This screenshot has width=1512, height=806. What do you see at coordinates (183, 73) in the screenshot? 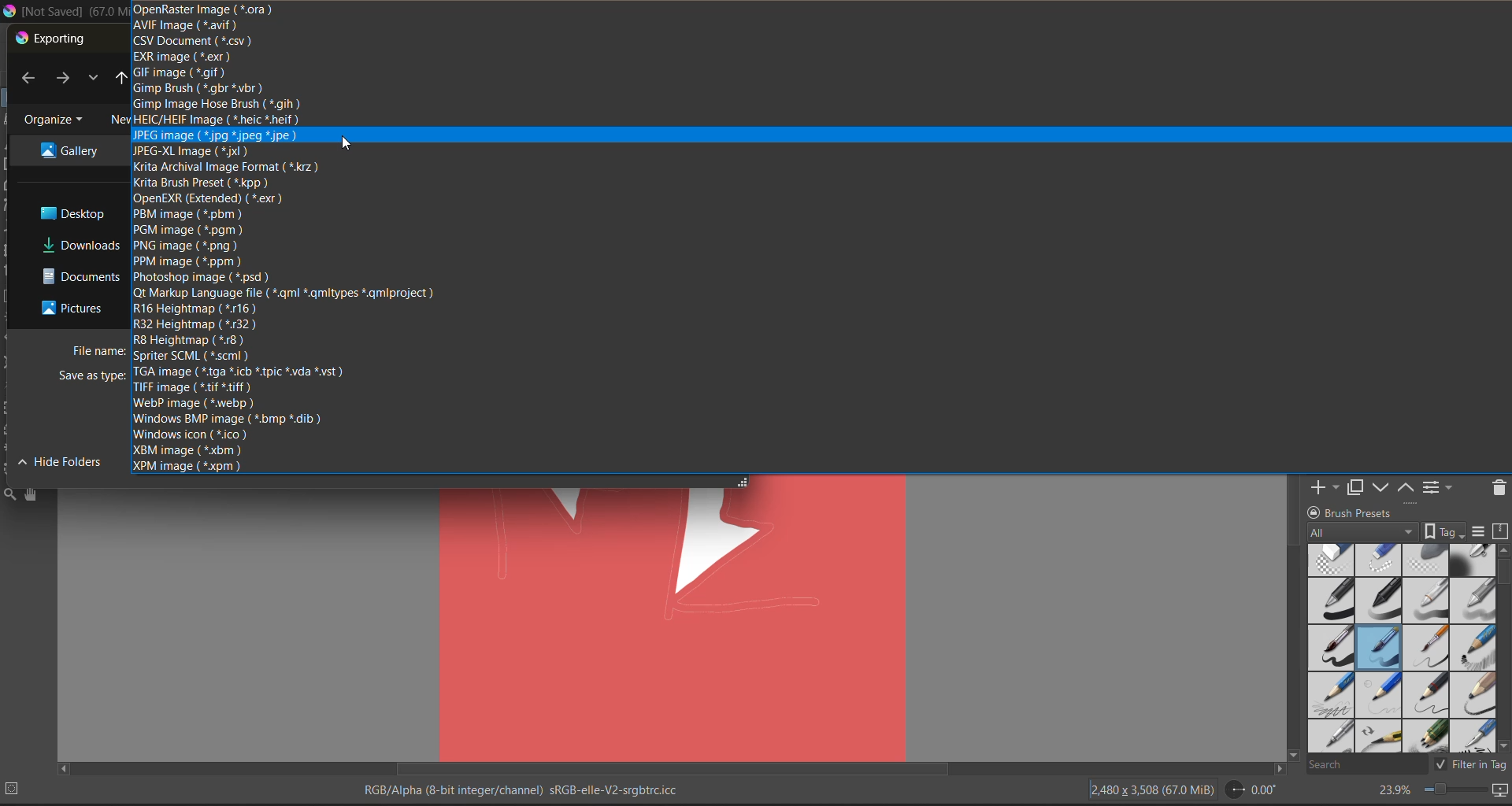
I see `gif image` at bounding box center [183, 73].